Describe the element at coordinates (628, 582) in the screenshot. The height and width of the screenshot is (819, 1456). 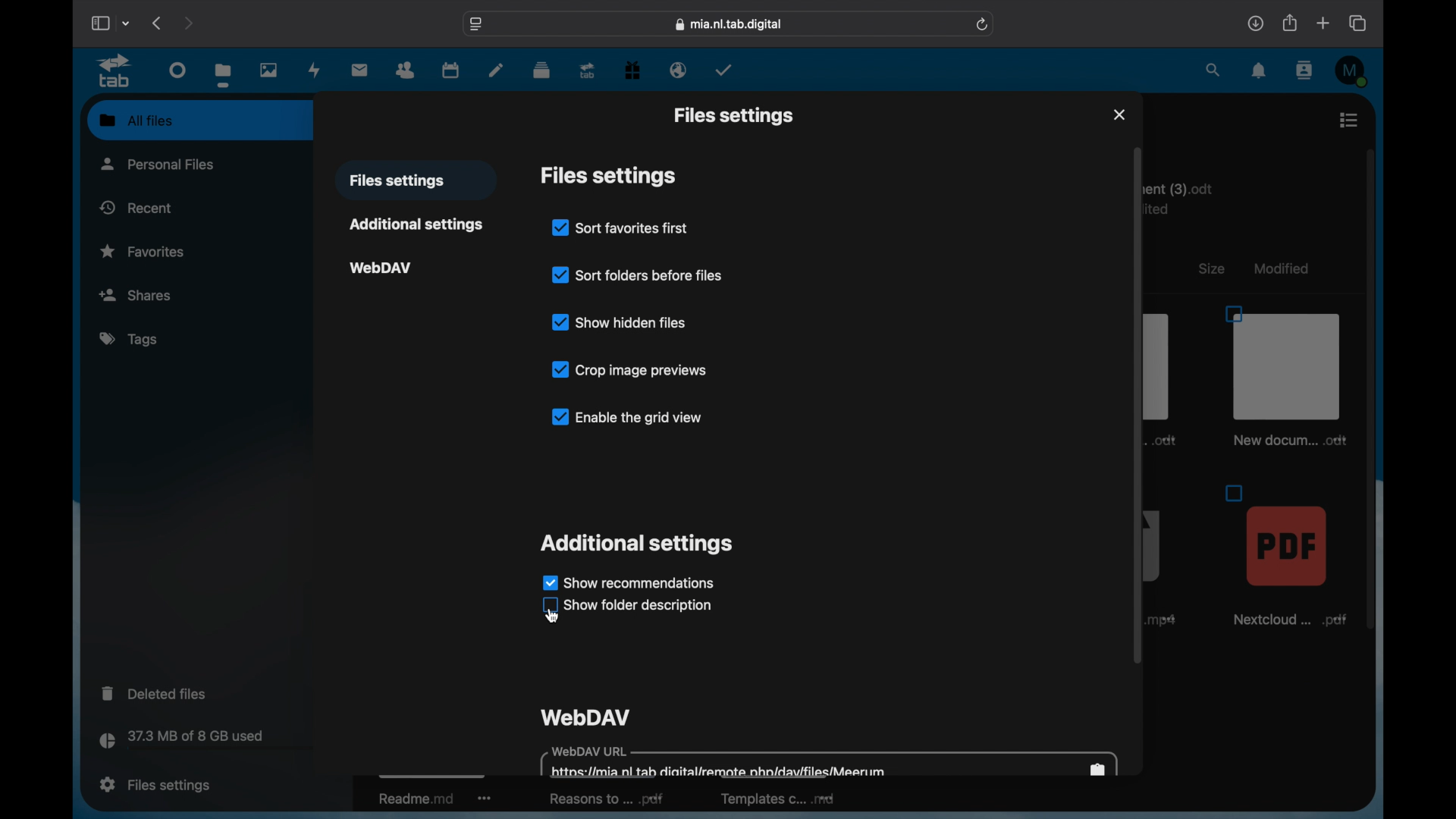
I see `show recommendations` at that location.